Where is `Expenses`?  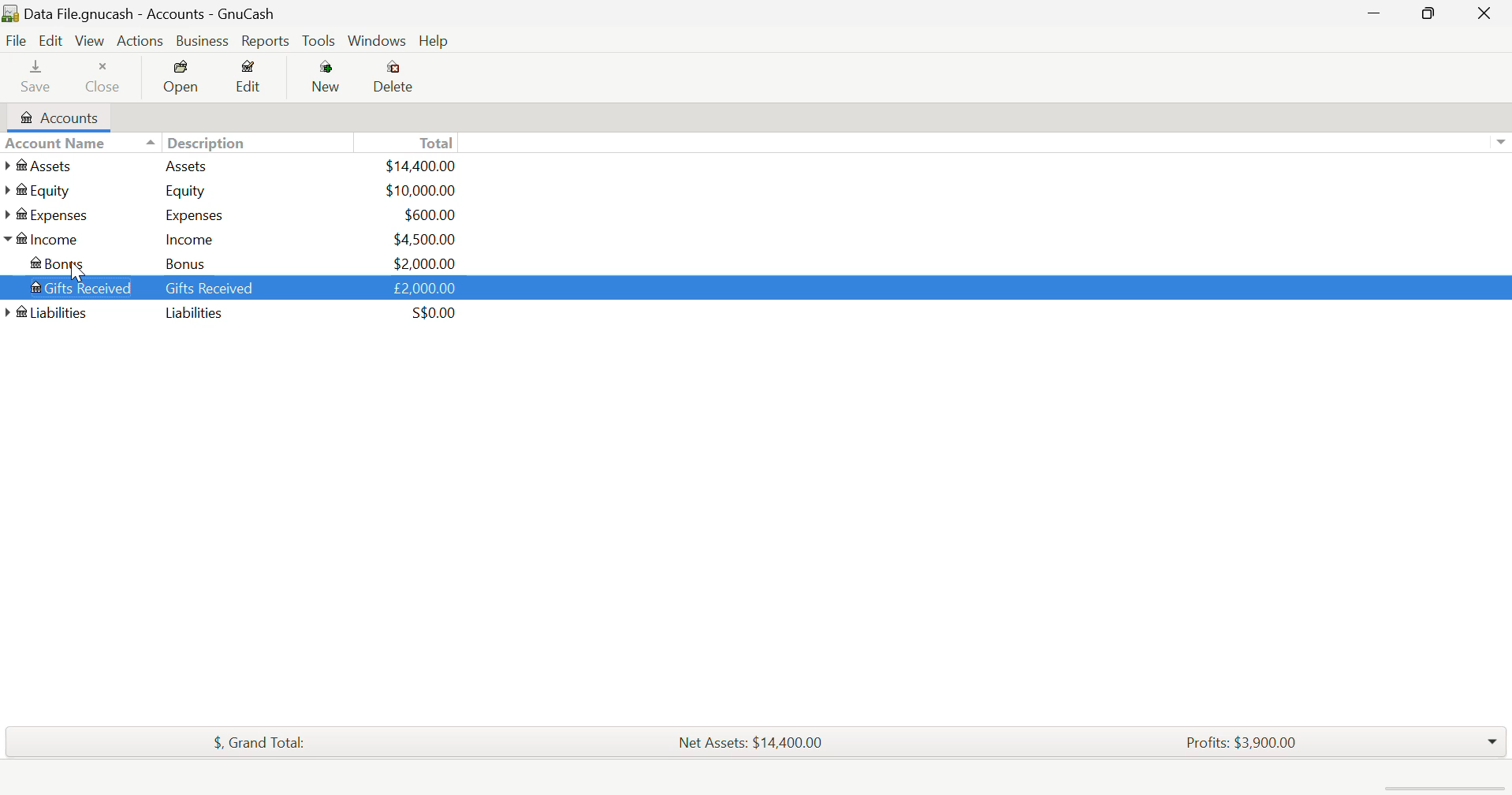 Expenses is located at coordinates (53, 215).